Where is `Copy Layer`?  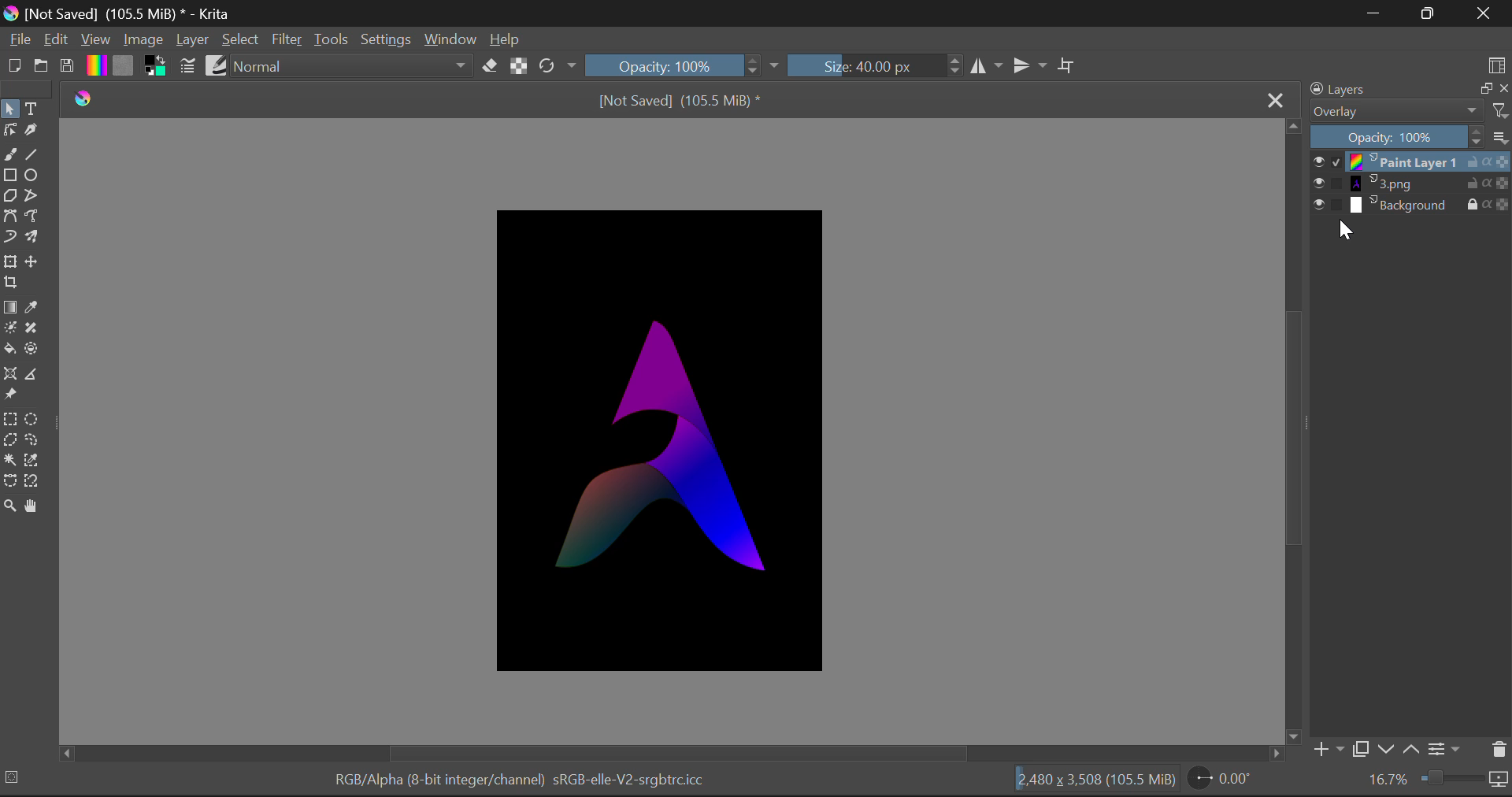 Copy Layer is located at coordinates (1481, 89).